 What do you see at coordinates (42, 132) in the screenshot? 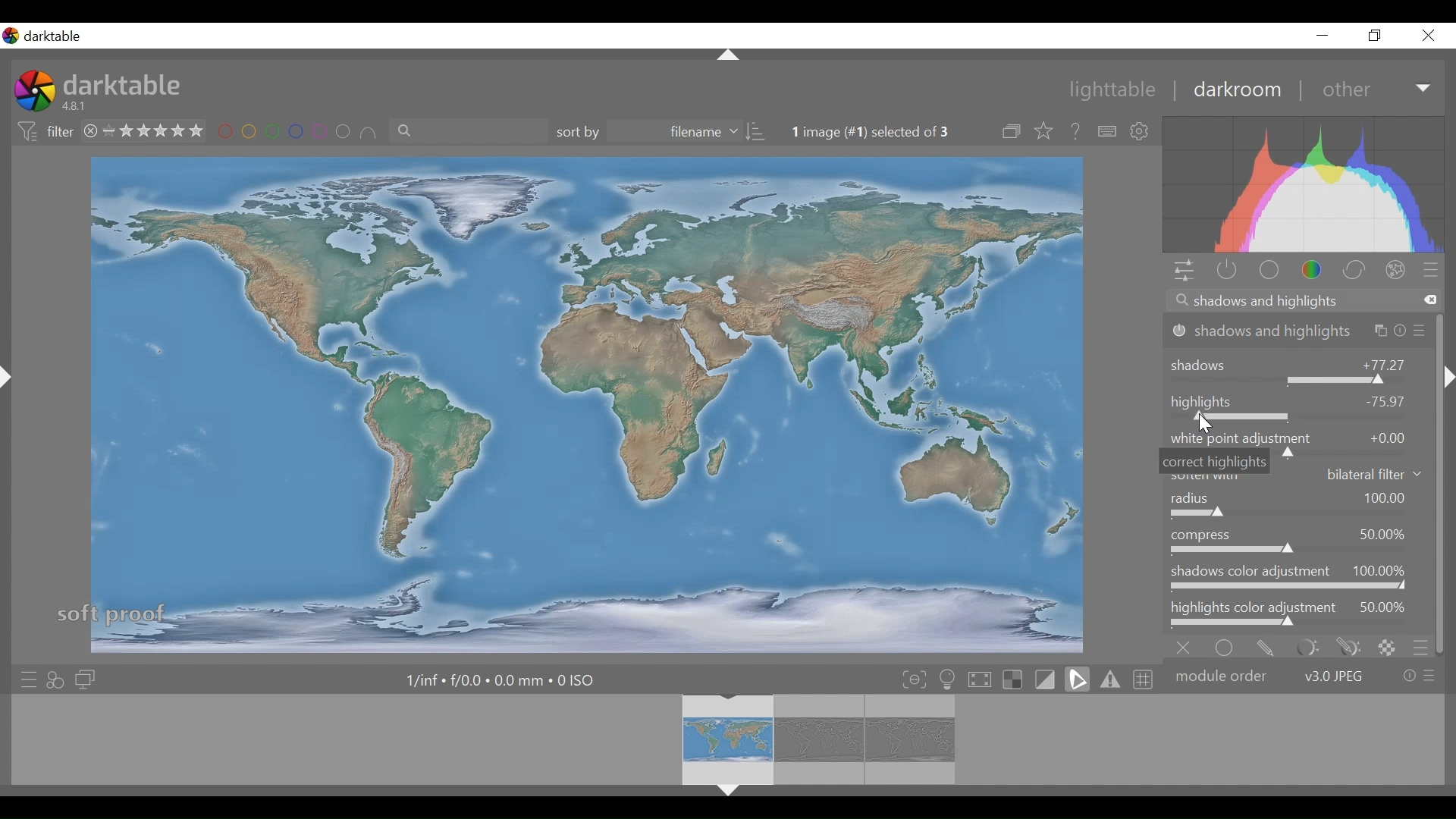
I see `filter` at bounding box center [42, 132].